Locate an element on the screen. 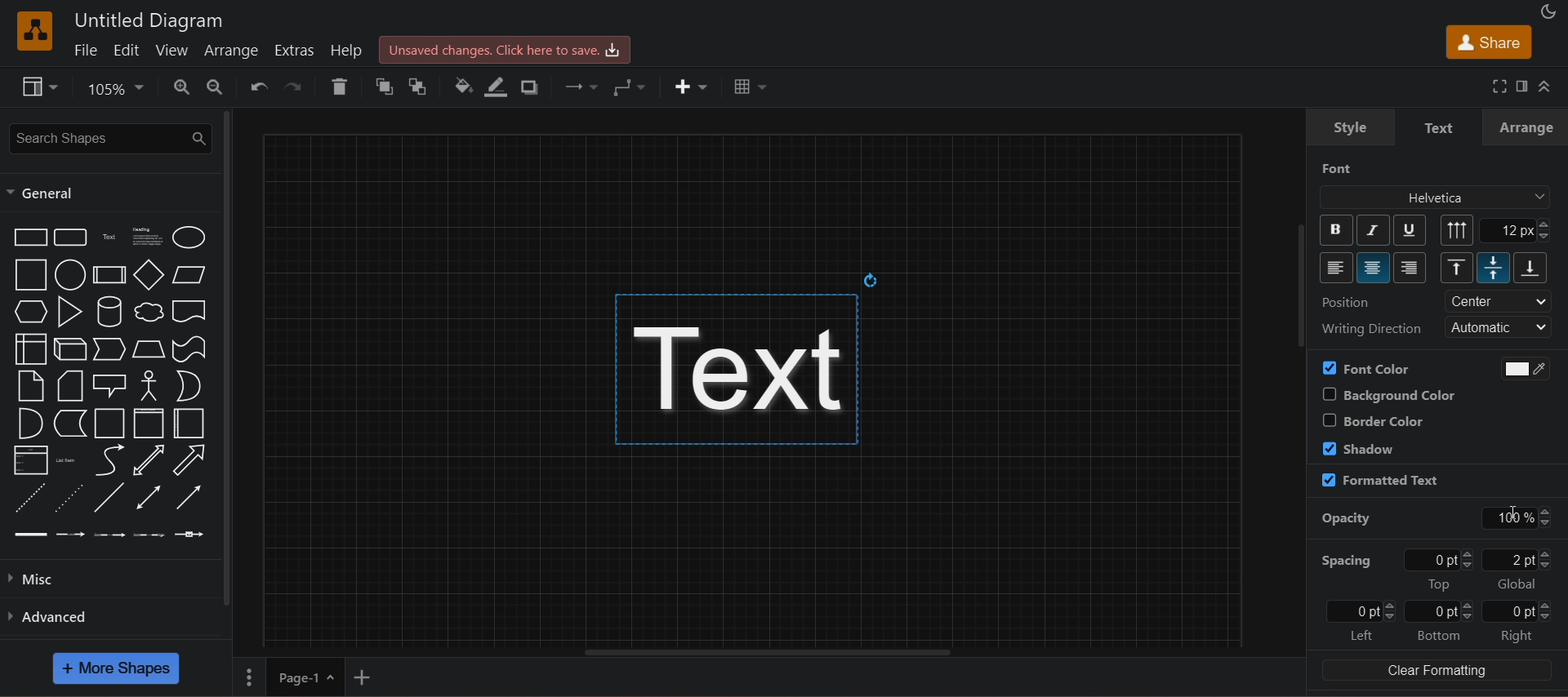  file is located at coordinates (85, 49).